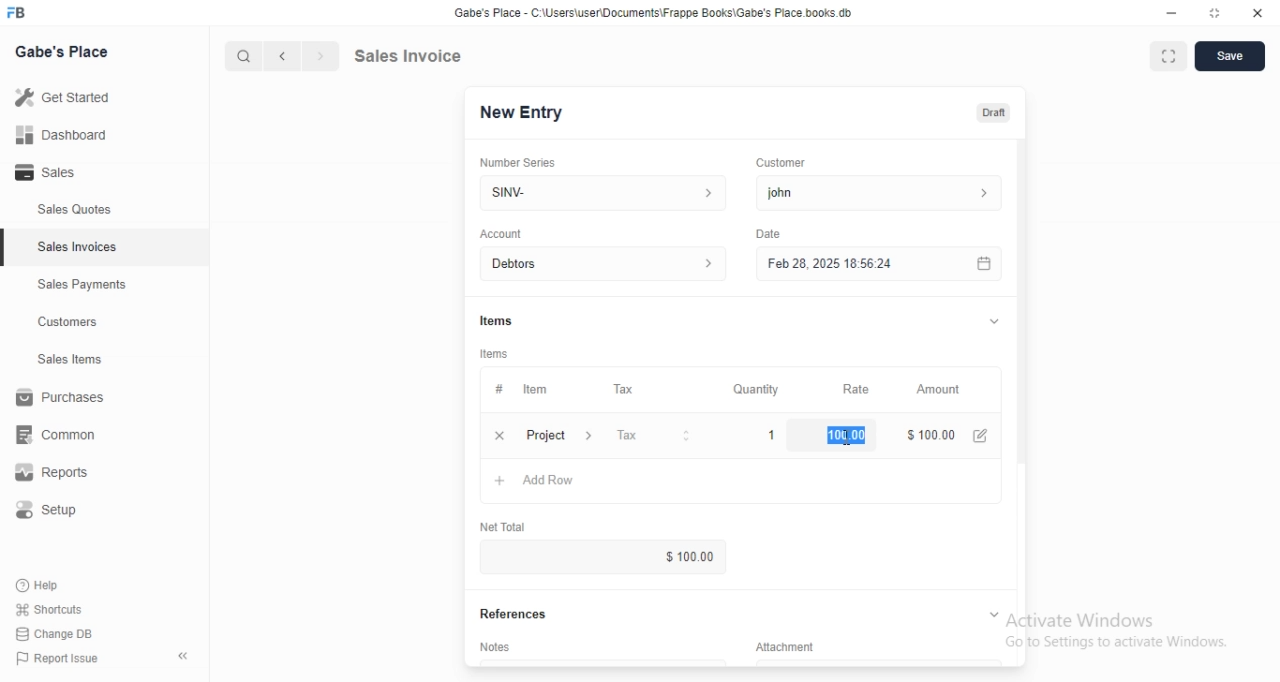 The height and width of the screenshot is (682, 1280). I want to click on all Dashboard, so click(69, 141).